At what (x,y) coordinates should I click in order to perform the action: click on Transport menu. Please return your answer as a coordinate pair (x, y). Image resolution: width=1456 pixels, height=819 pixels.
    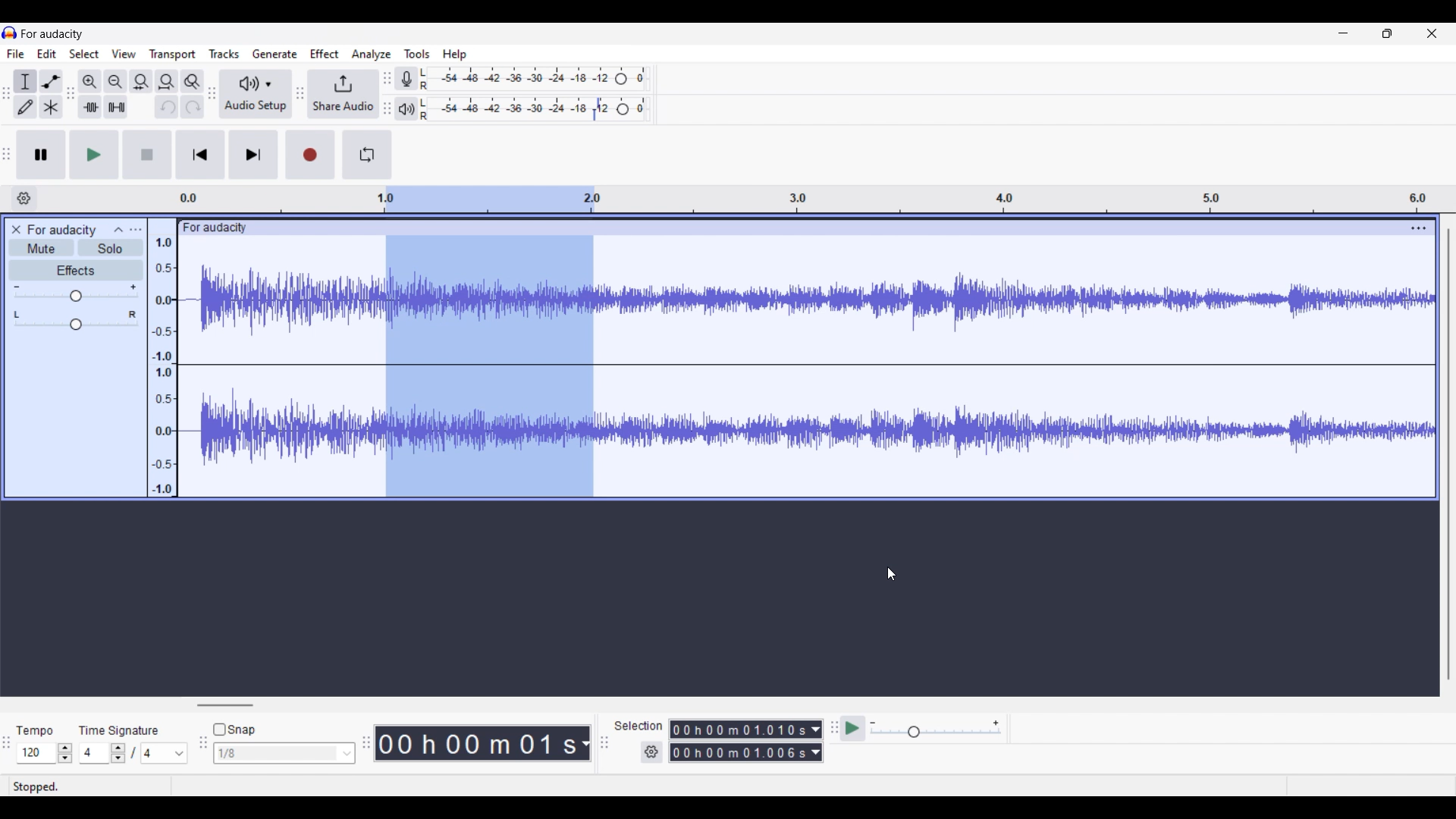
    Looking at the image, I should click on (173, 55).